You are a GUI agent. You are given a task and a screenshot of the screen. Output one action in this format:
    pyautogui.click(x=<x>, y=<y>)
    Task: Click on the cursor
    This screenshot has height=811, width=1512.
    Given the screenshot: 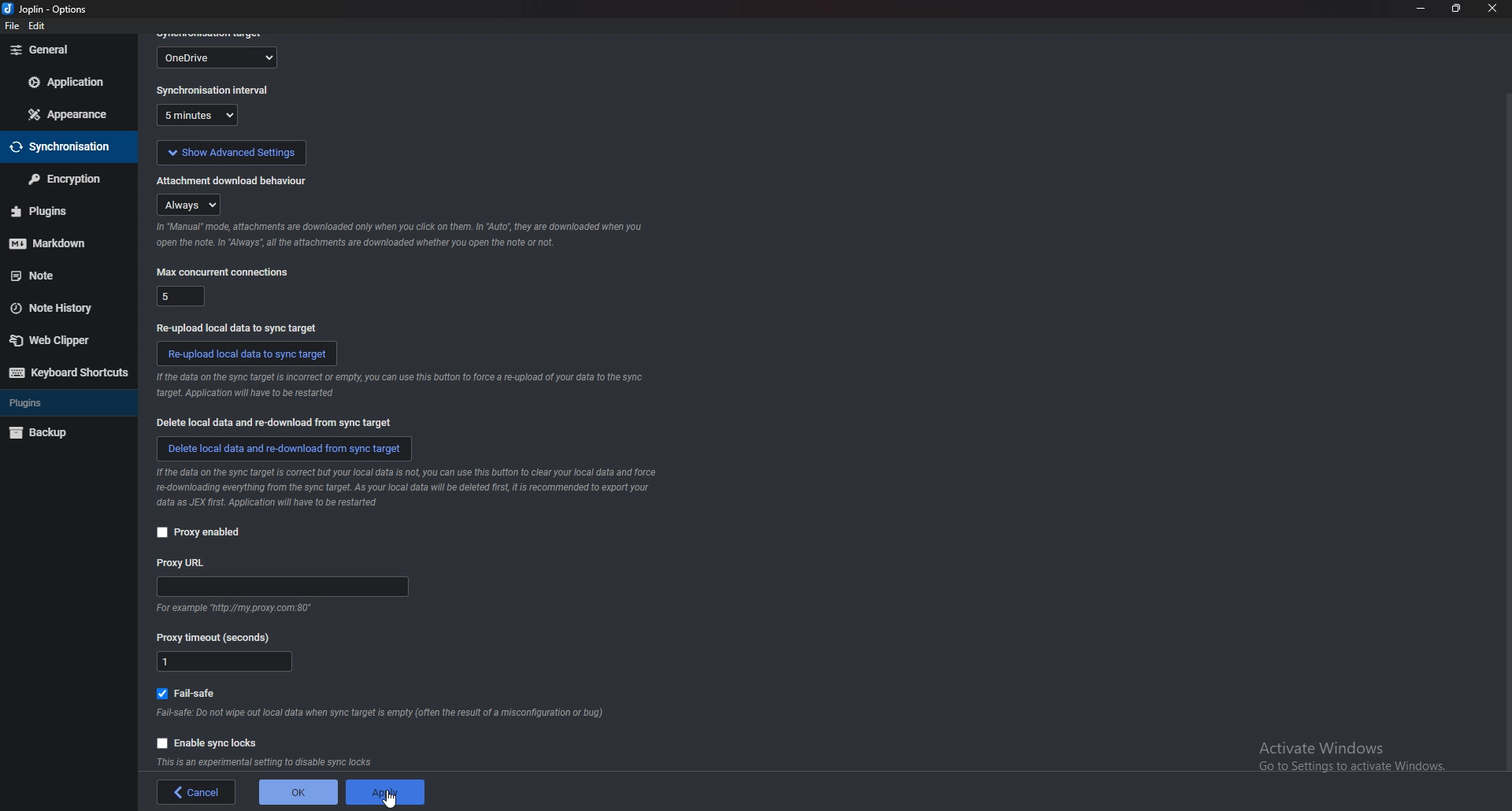 What is the action you would take?
    pyautogui.click(x=395, y=798)
    